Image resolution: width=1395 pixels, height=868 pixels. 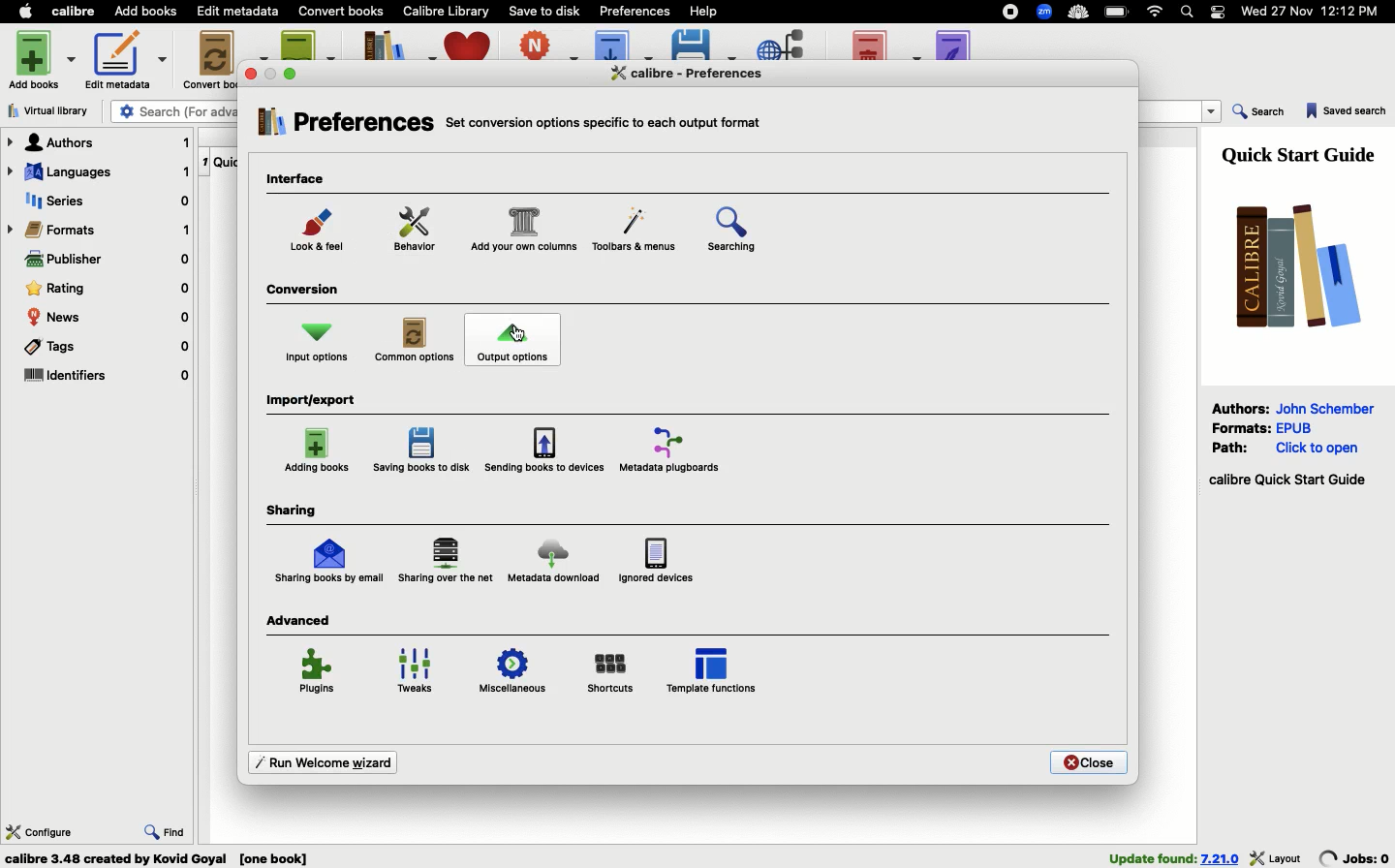 I want to click on Template functions, so click(x=713, y=669).